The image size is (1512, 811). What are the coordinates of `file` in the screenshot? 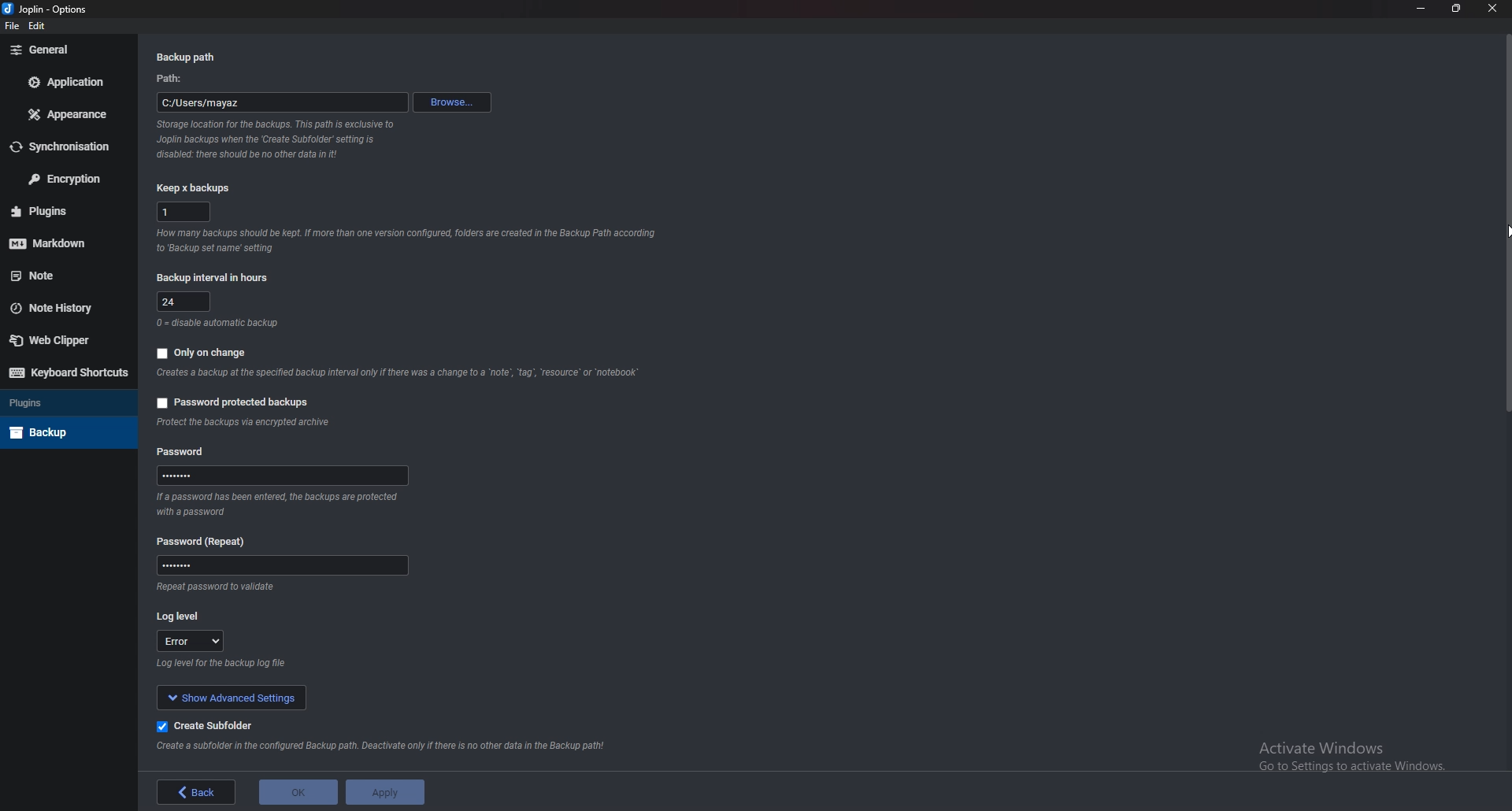 It's located at (13, 27).